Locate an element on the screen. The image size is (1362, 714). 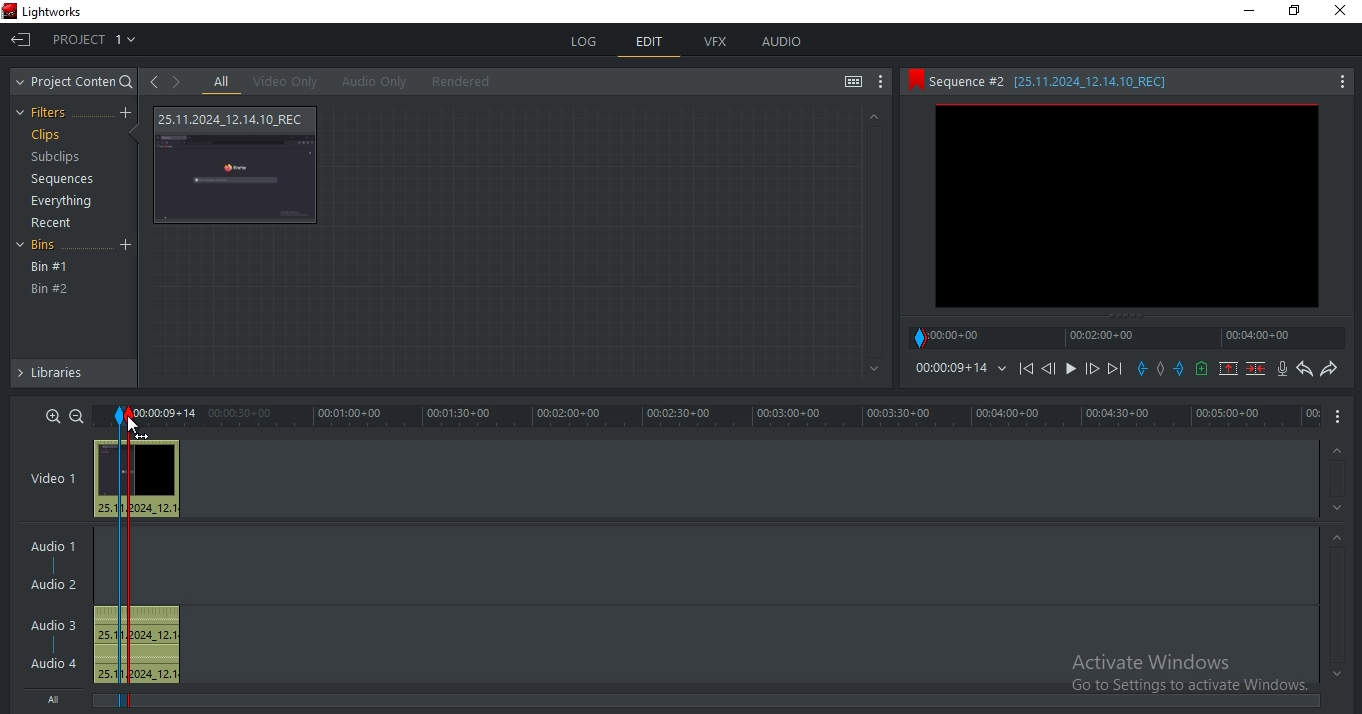
create a filter is located at coordinates (125, 113).